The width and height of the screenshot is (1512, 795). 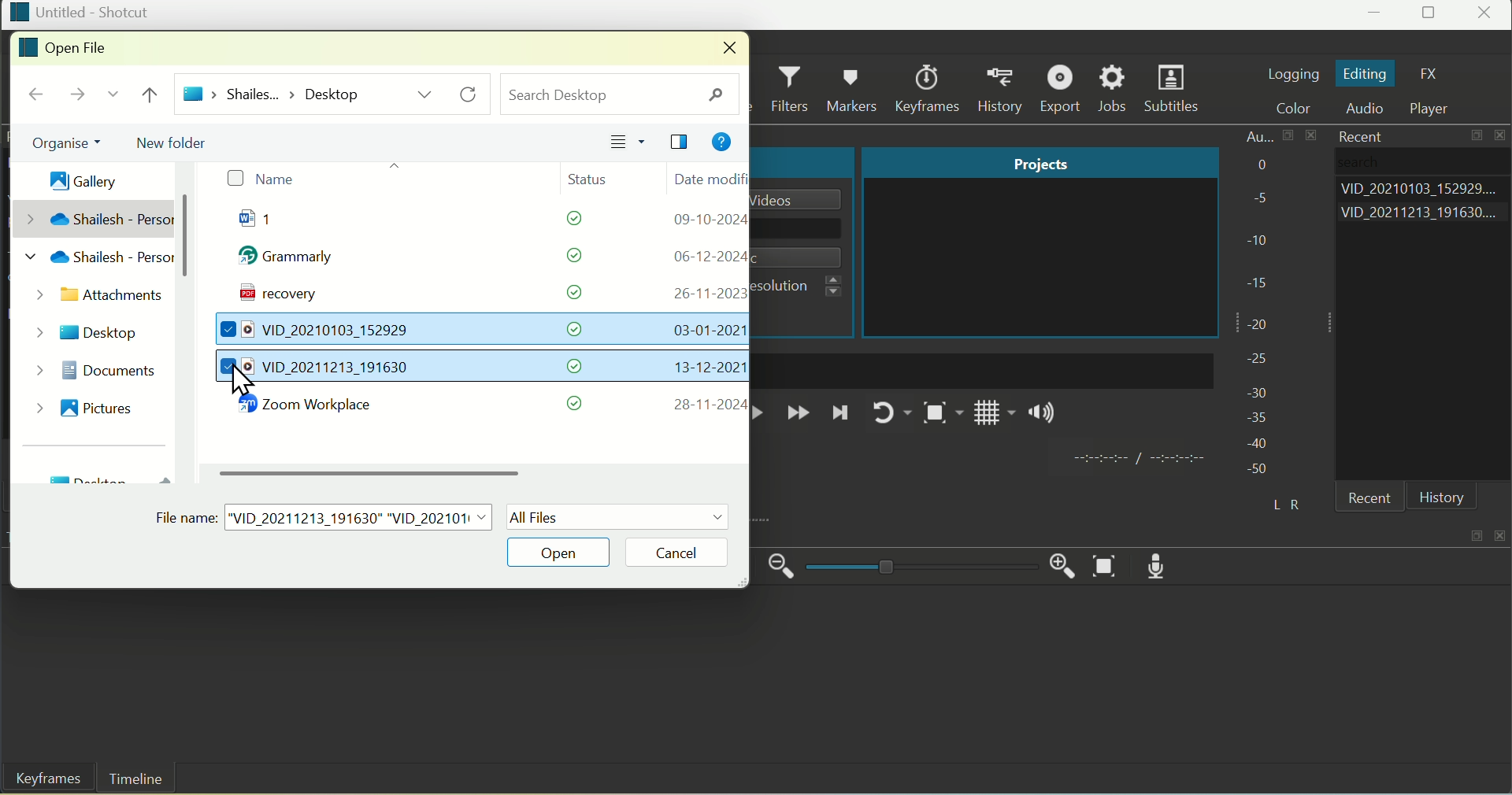 I want to click on Gallery, so click(x=75, y=176).